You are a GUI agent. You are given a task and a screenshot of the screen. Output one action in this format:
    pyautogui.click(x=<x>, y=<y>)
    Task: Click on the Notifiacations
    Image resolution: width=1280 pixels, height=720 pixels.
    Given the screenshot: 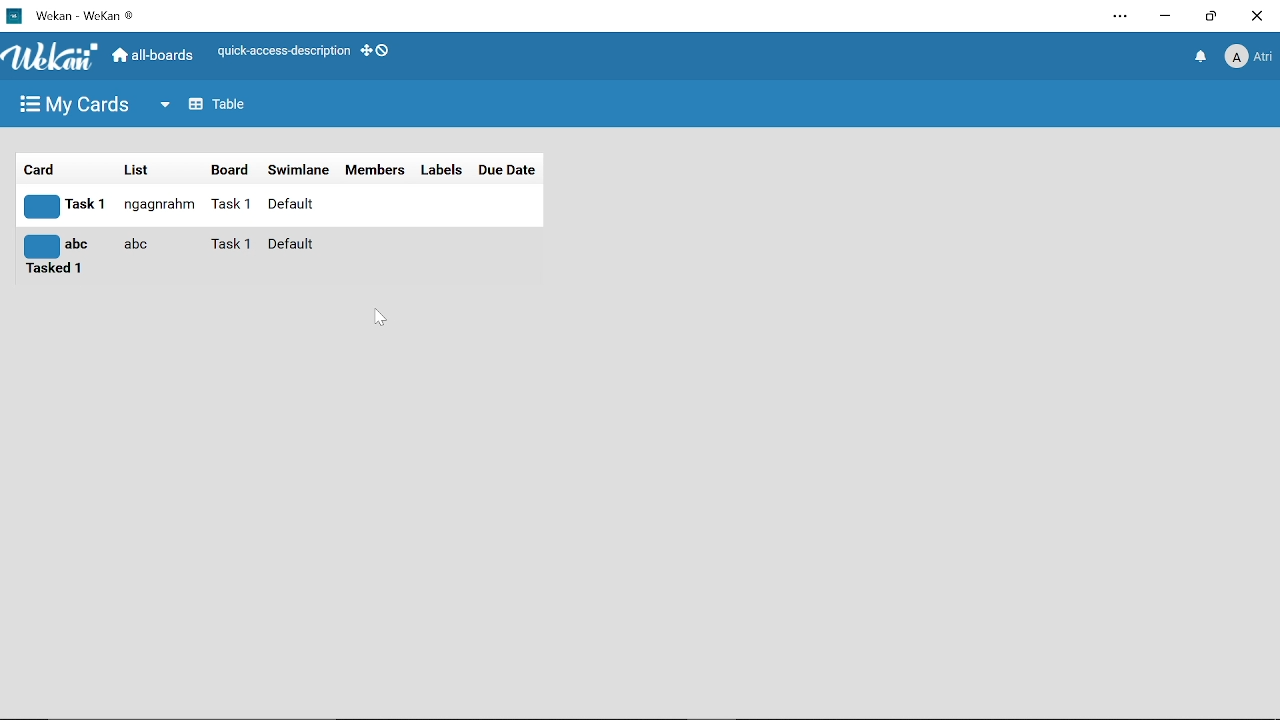 What is the action you would take?
    pyautogui.click(x=1202, y=61)
    